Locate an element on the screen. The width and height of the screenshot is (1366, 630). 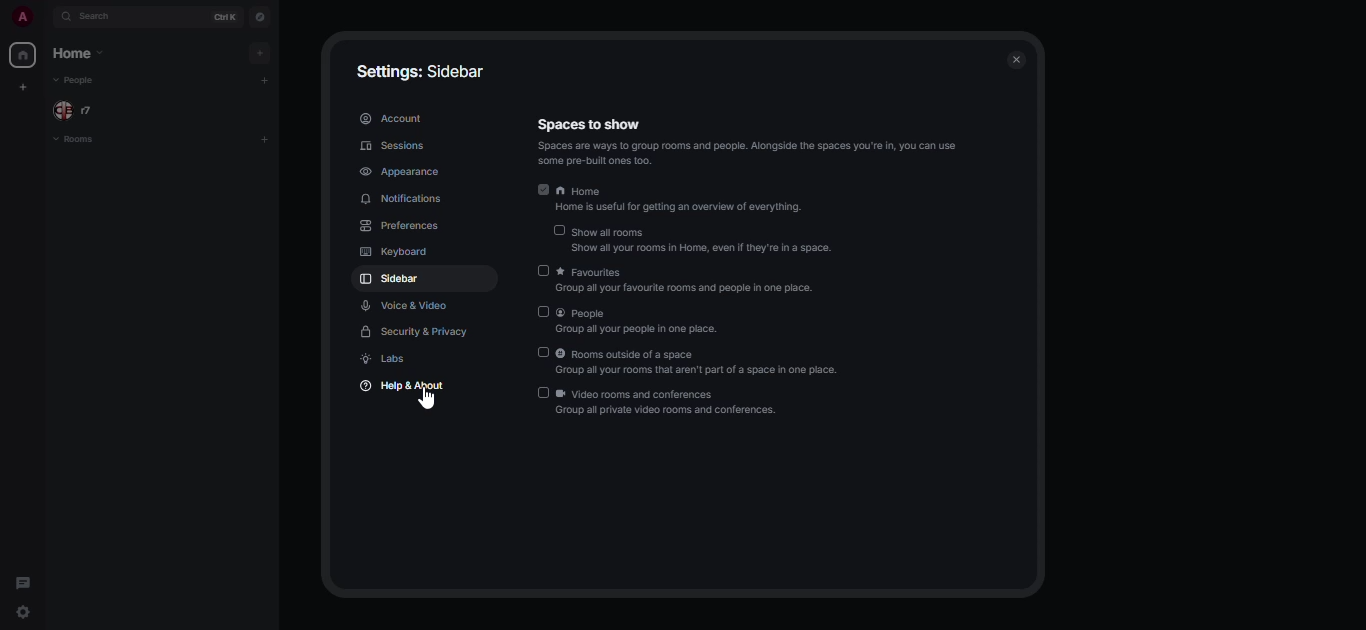
create myspace is located at coordinates (21, 86).